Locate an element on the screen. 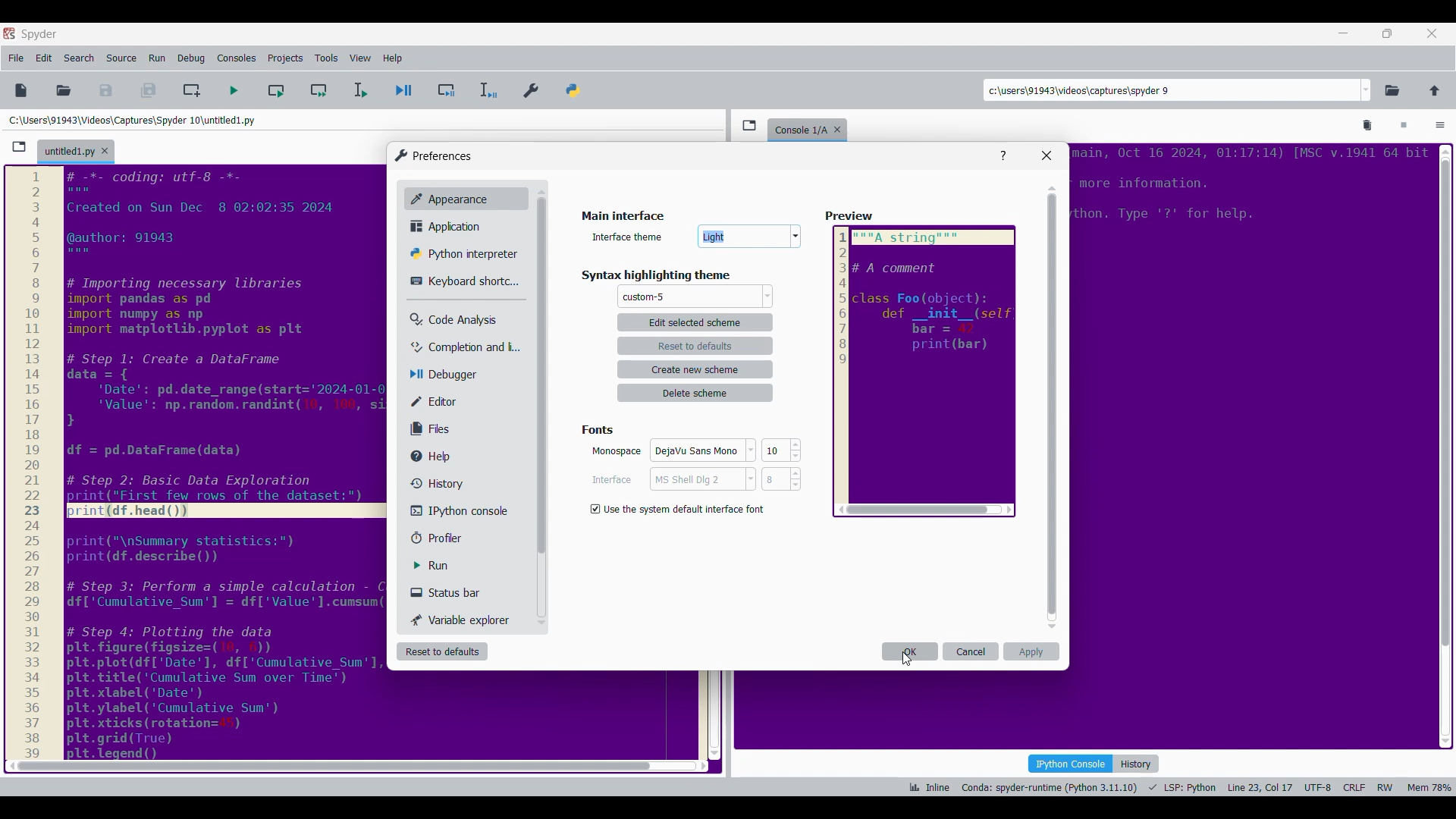 The image size is (1456, 819). Edit menu is located at coordinates (44, 58).